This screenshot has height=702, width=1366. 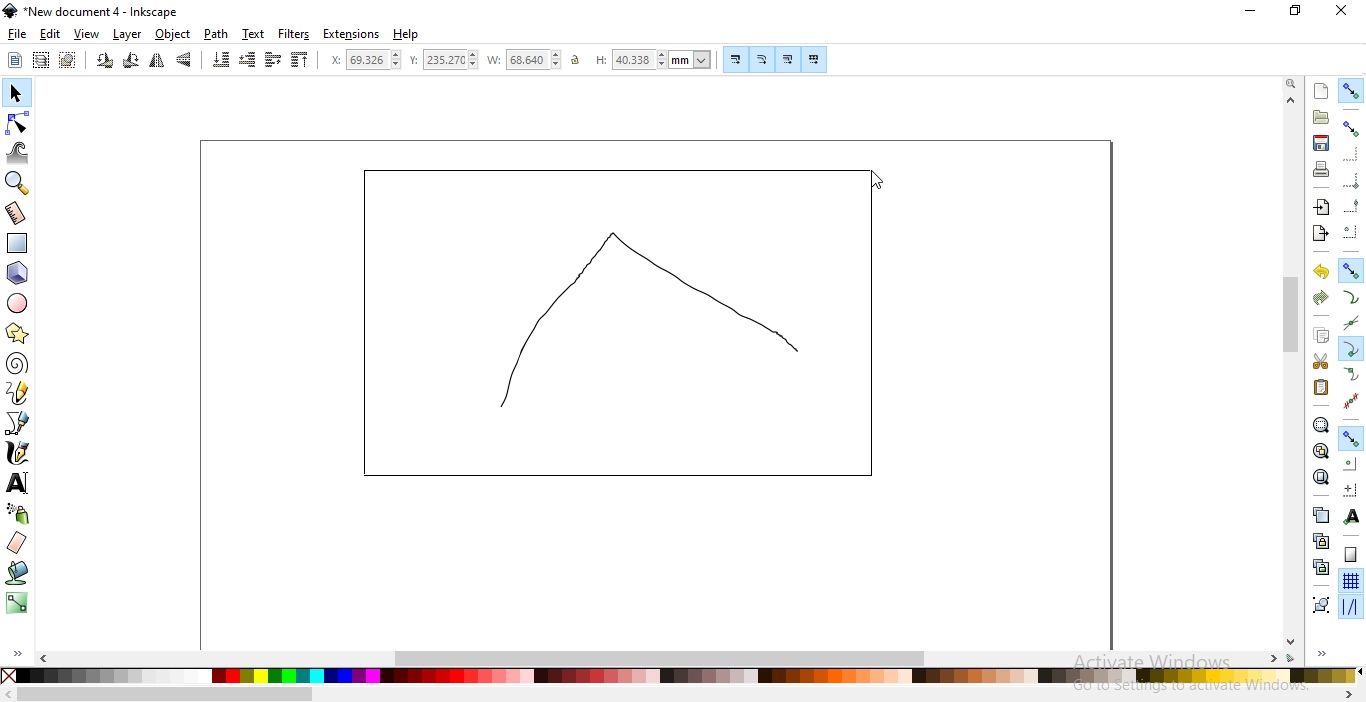 What do you see at coordinates (16, 603) in the screenshot?
I see `create or edit gradients` at bounding box center [16, 603].